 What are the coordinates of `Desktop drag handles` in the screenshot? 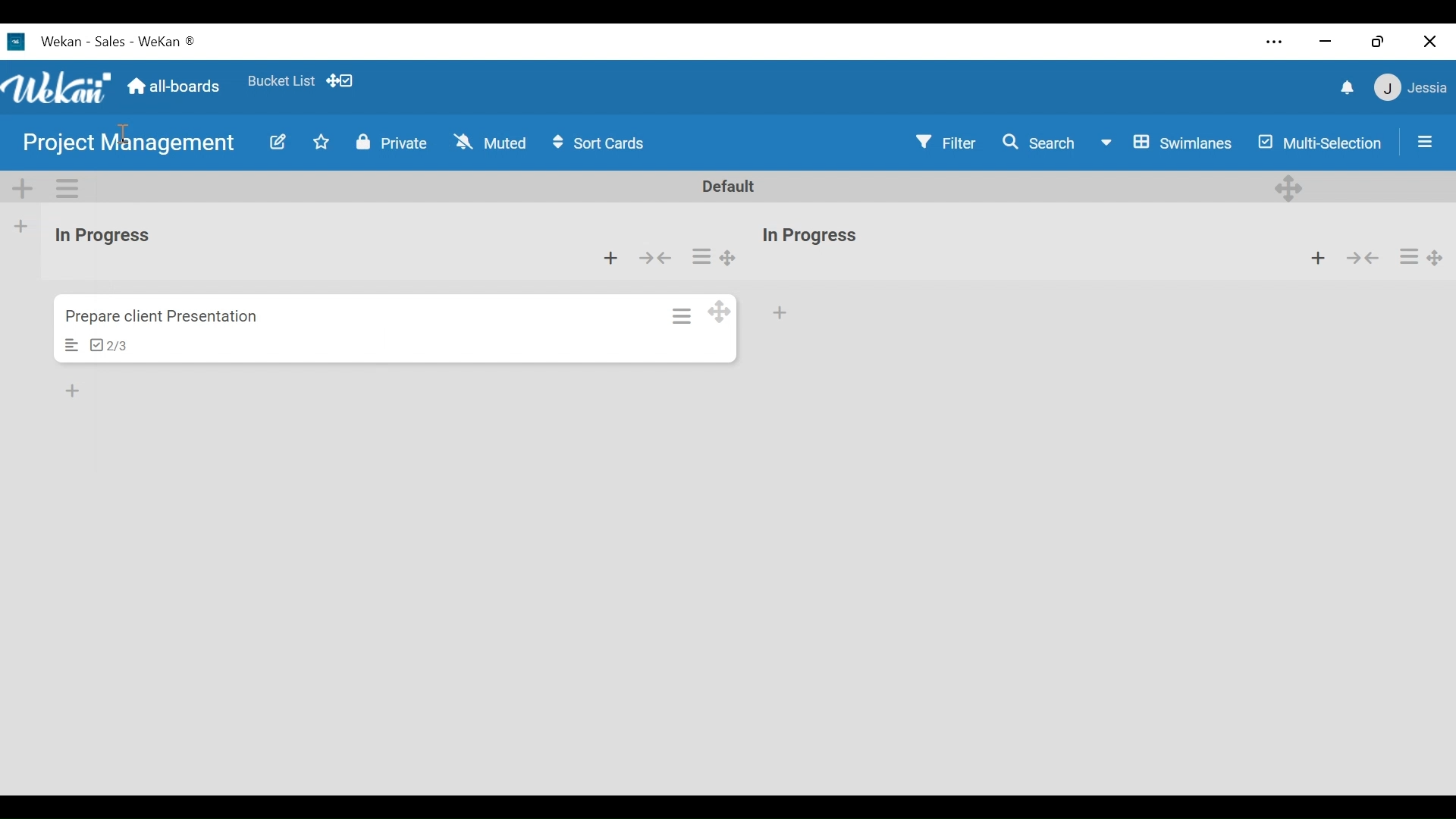 It's located at (1436, 259).